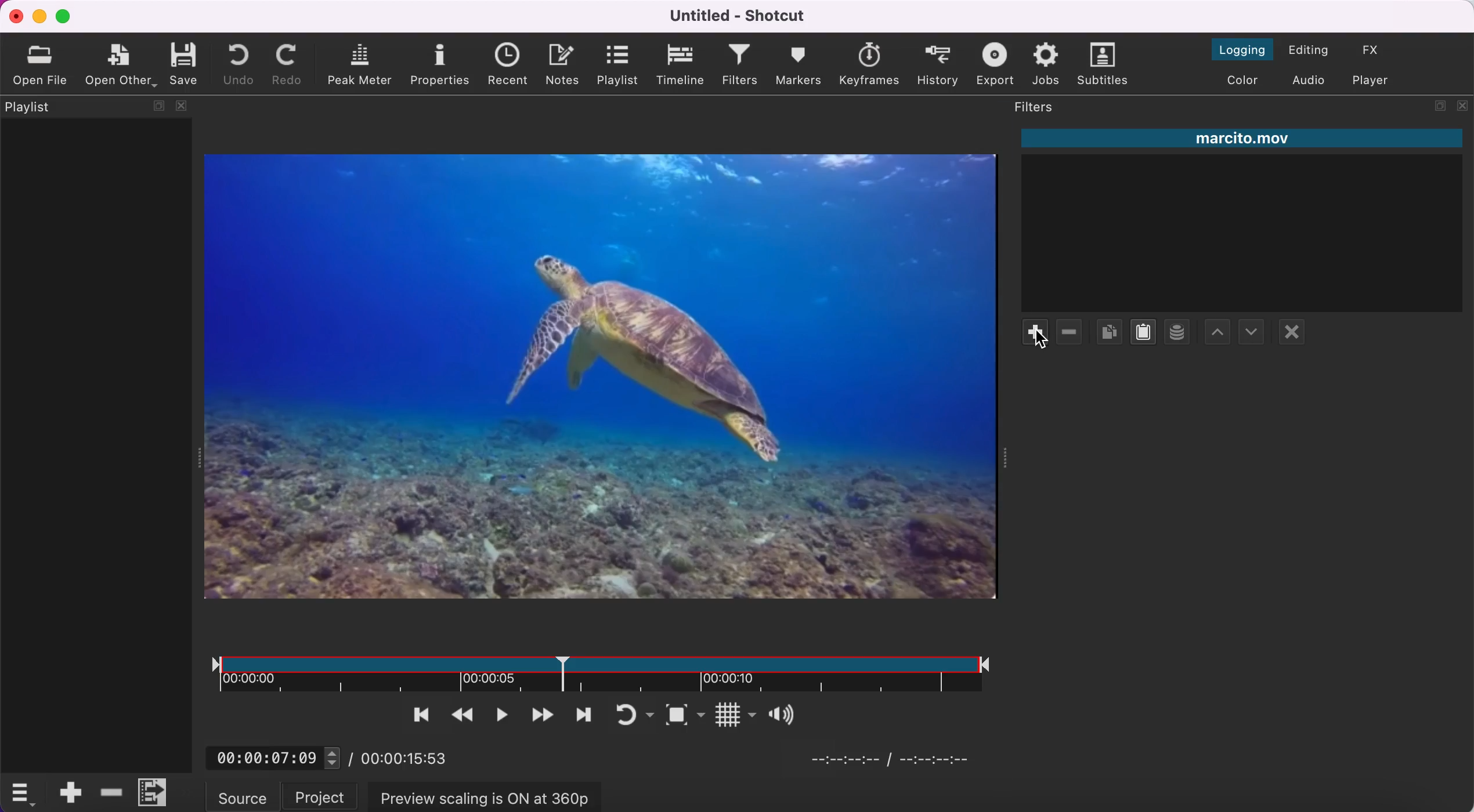 The image size is (1474, 812). What do you see at coordinates (1463, 109) in the screenshot?
I see `close` at bounding box center [1463, 109].